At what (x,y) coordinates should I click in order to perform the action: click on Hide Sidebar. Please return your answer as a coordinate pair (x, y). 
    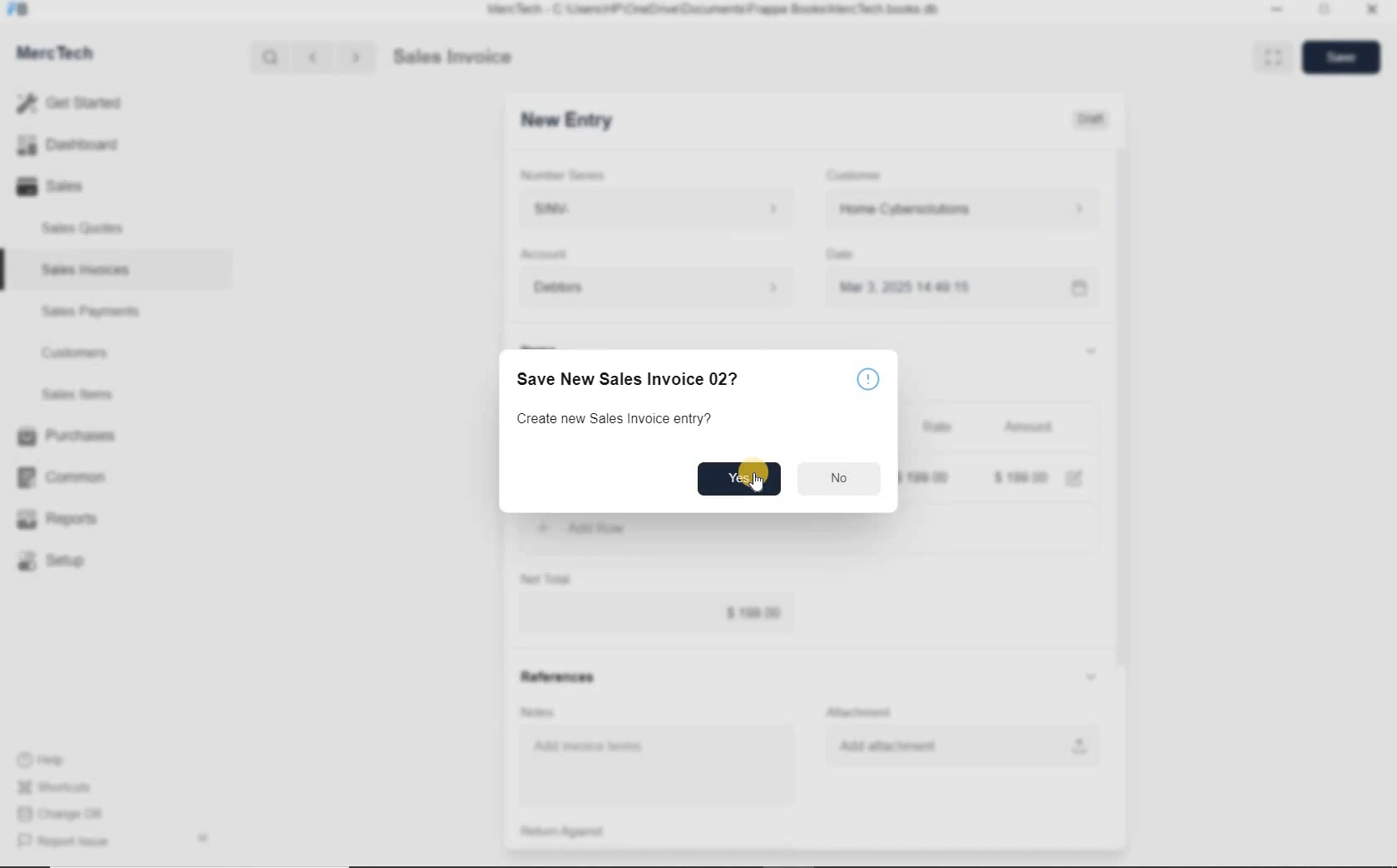
    Looking at the image, I should click on (202, 837).